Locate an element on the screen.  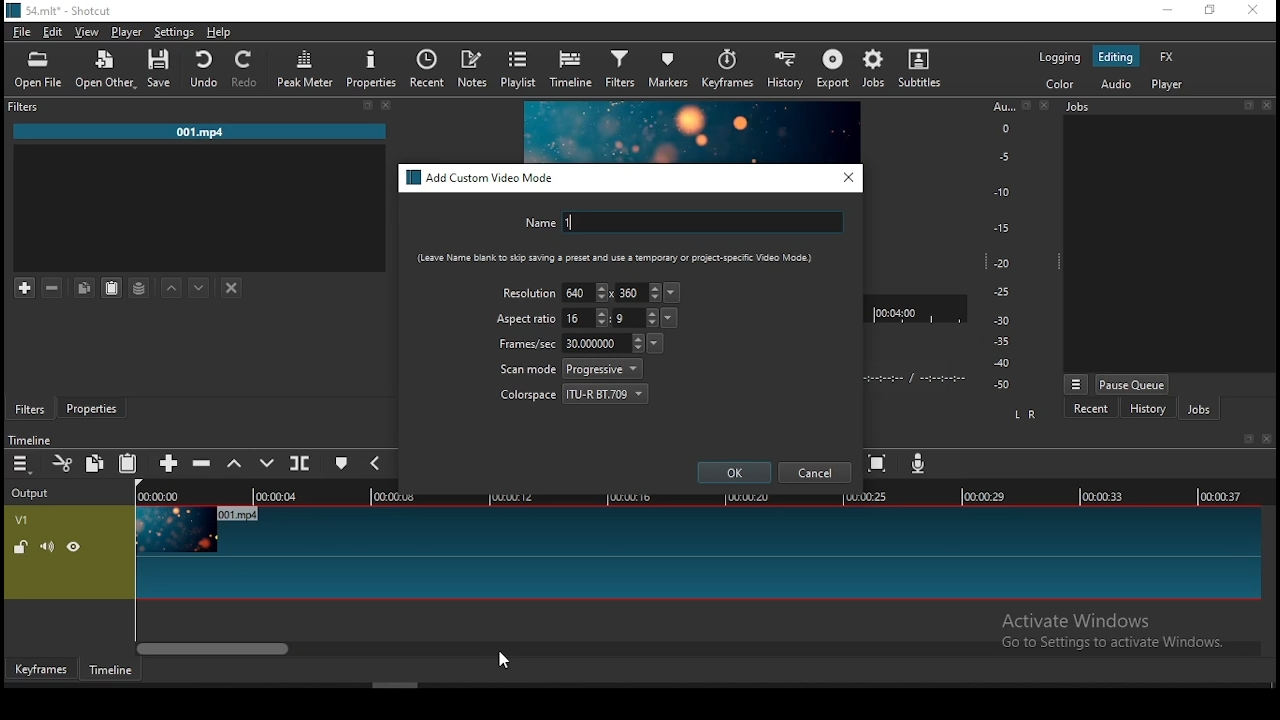
aspect ratio is located at coordinates (527, 319).